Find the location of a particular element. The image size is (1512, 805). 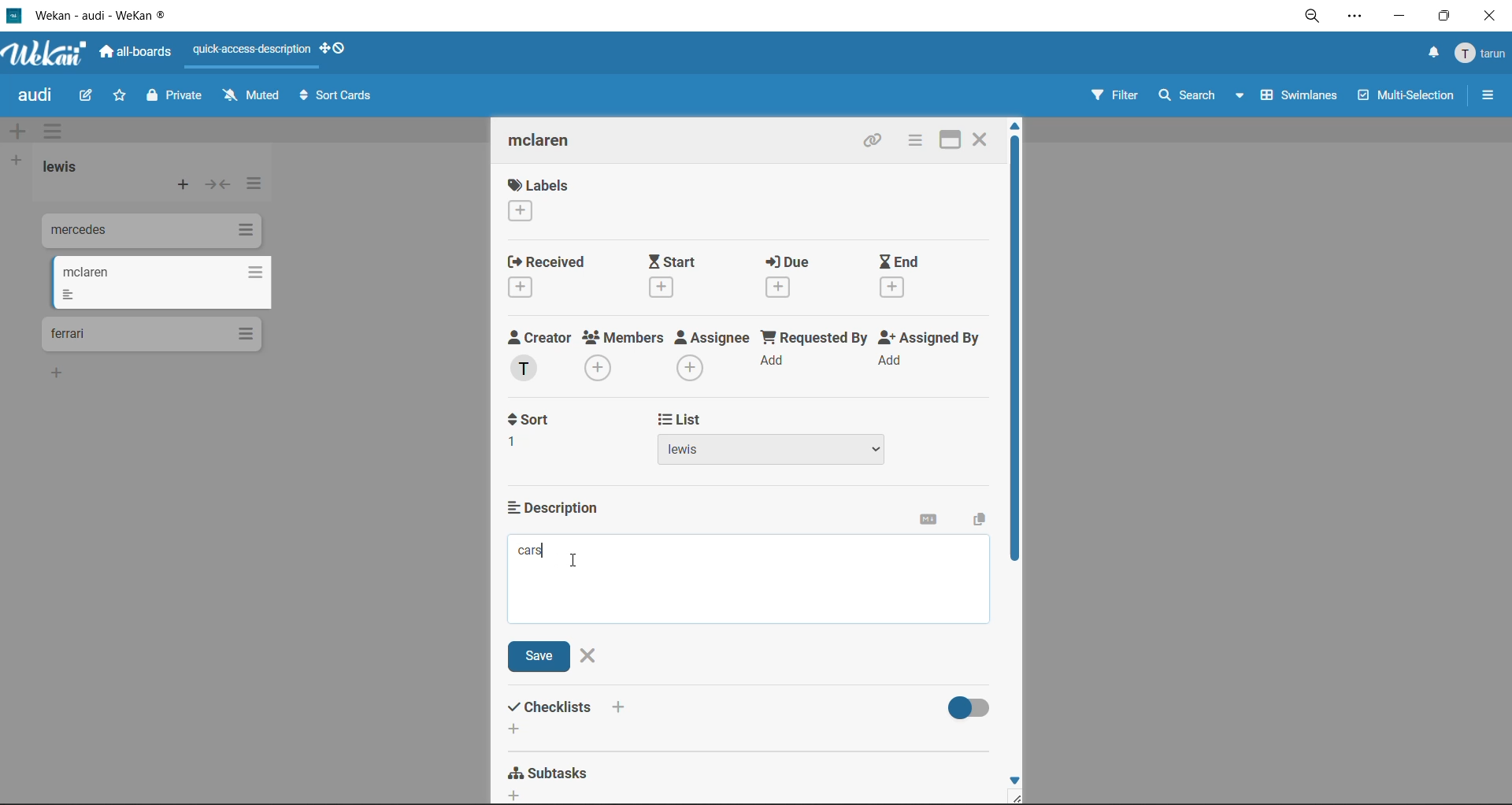

close is located at coordinates (981, 138).